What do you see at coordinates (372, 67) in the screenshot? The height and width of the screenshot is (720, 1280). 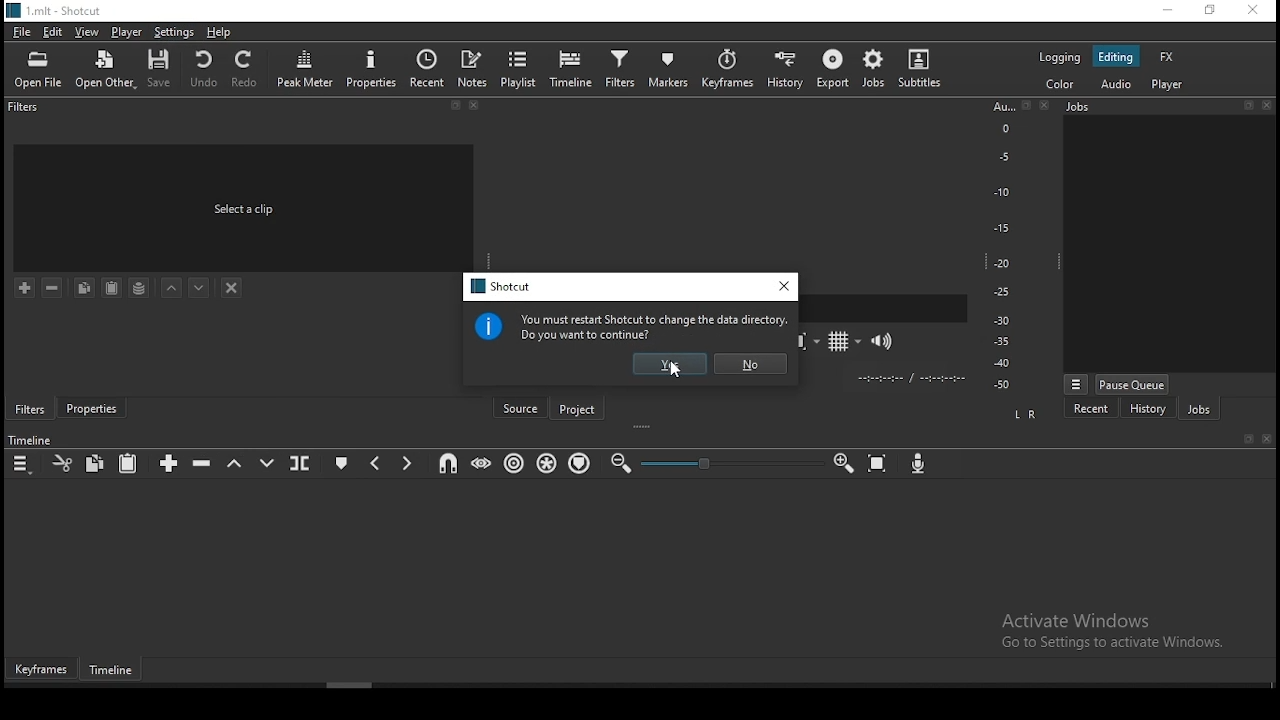 I see `properties` at bounding box center [372, 67].